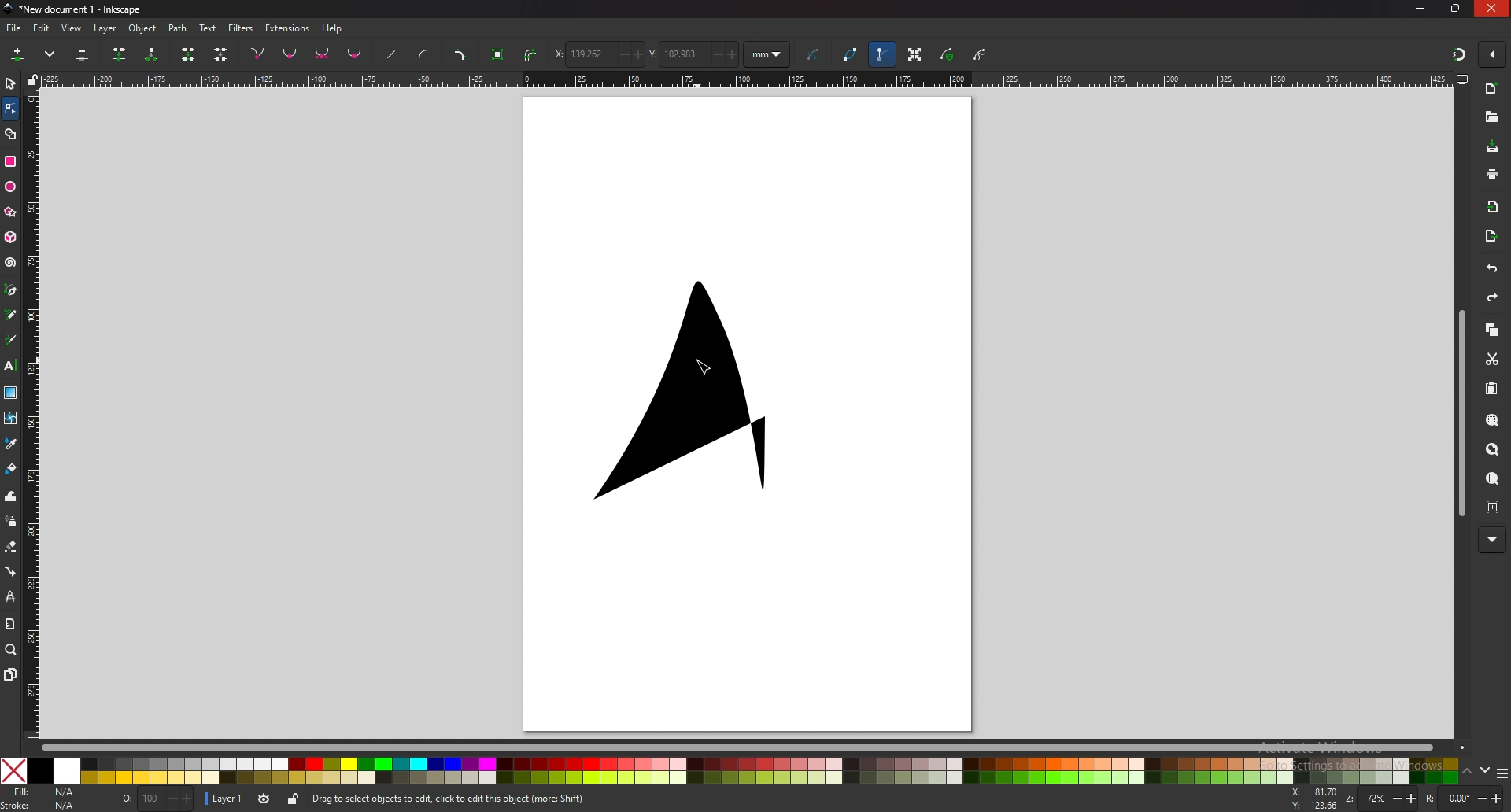 The image size is (1511, 812). I want to click on page, so click(749, 410).